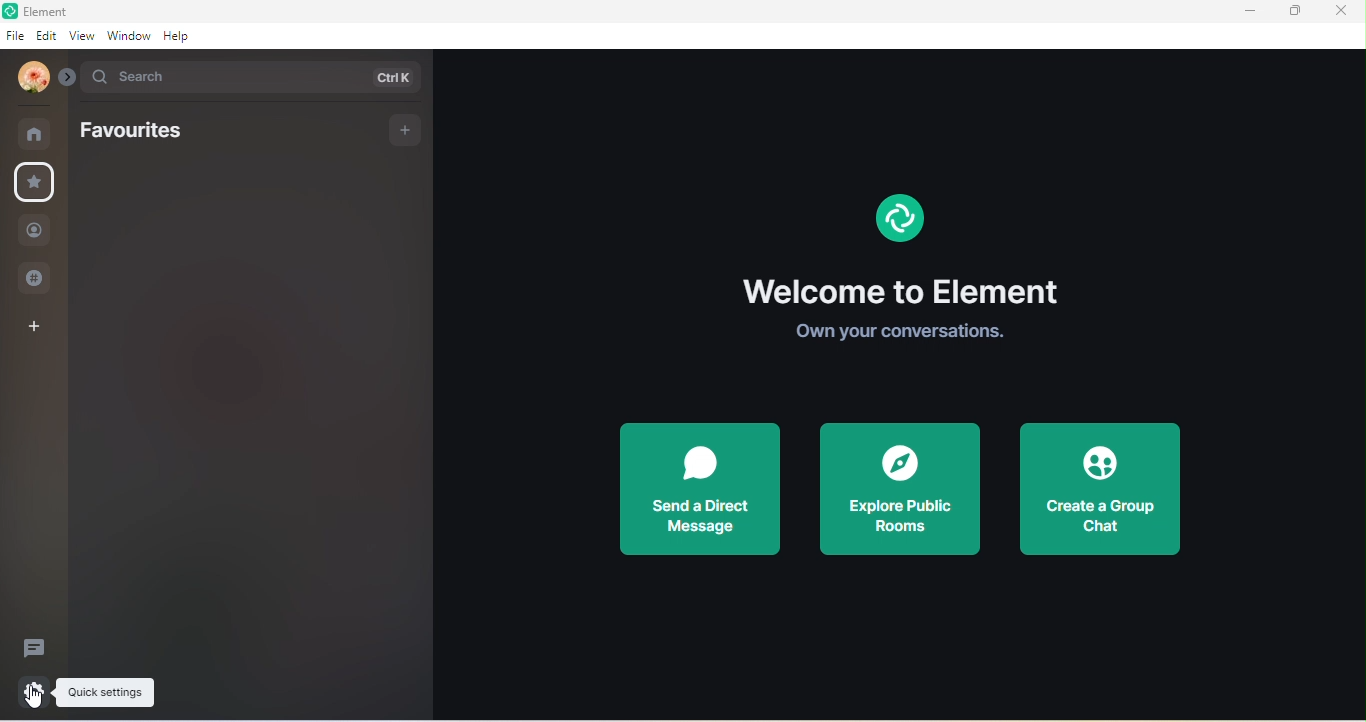 The image size is (1366, 722). Describe the element at coordinates (139, 136) in the screenshot. I see `favourites` at that location.